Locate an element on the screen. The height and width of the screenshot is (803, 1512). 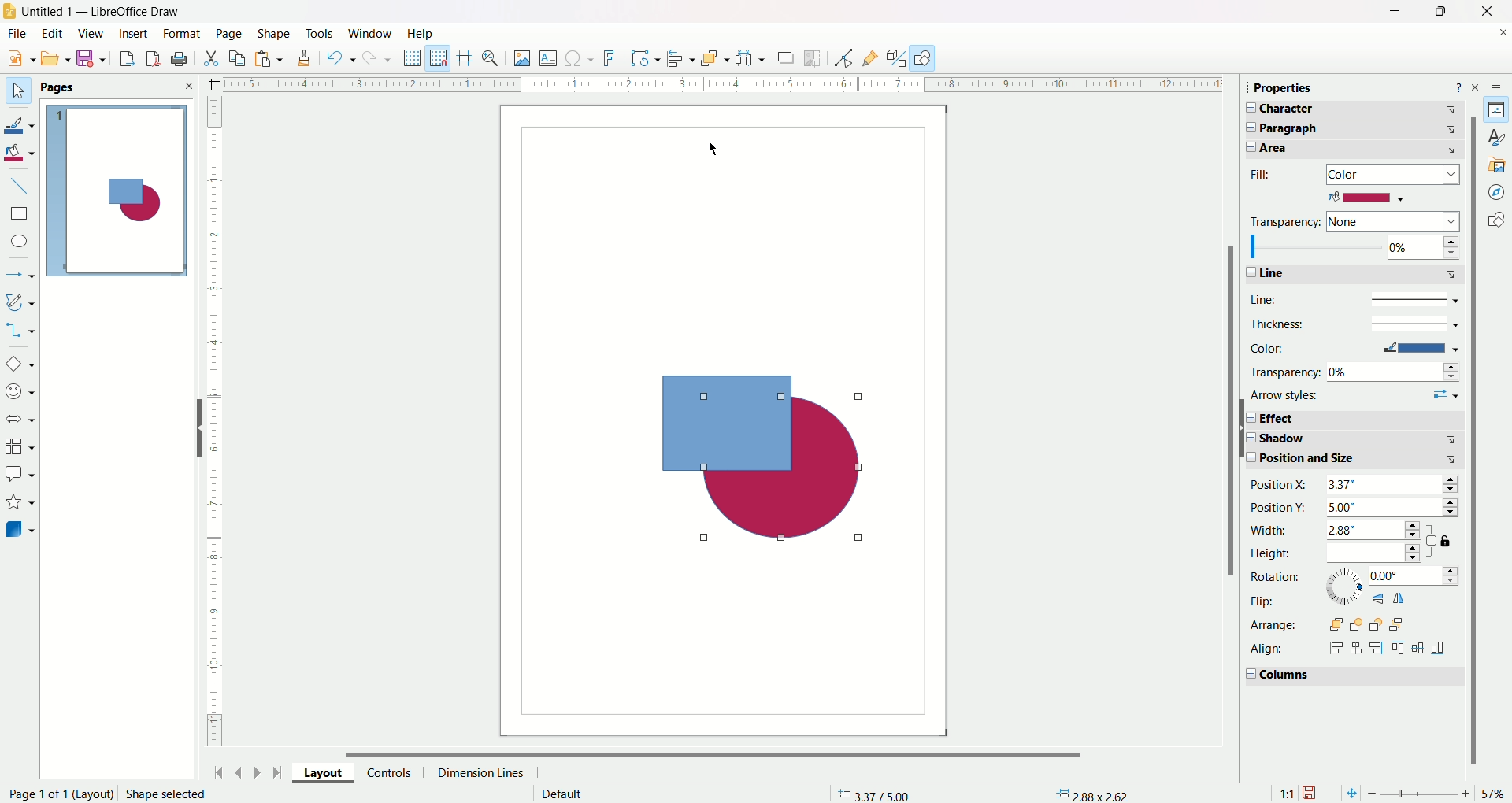
vertical scroll bar is located at coordinates (1475, 515).